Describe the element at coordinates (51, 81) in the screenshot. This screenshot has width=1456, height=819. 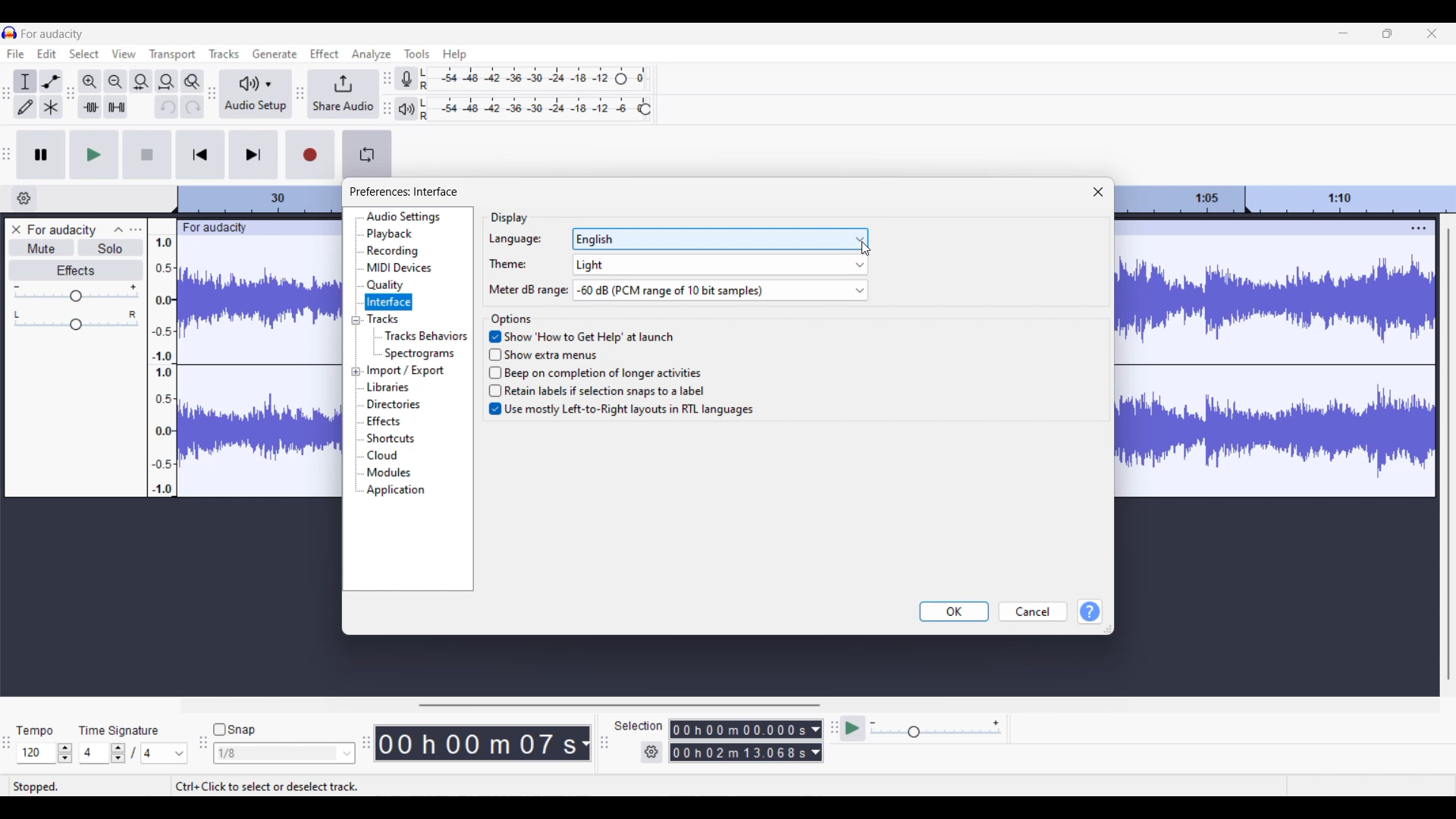
I see `Envelop tool` at that location.